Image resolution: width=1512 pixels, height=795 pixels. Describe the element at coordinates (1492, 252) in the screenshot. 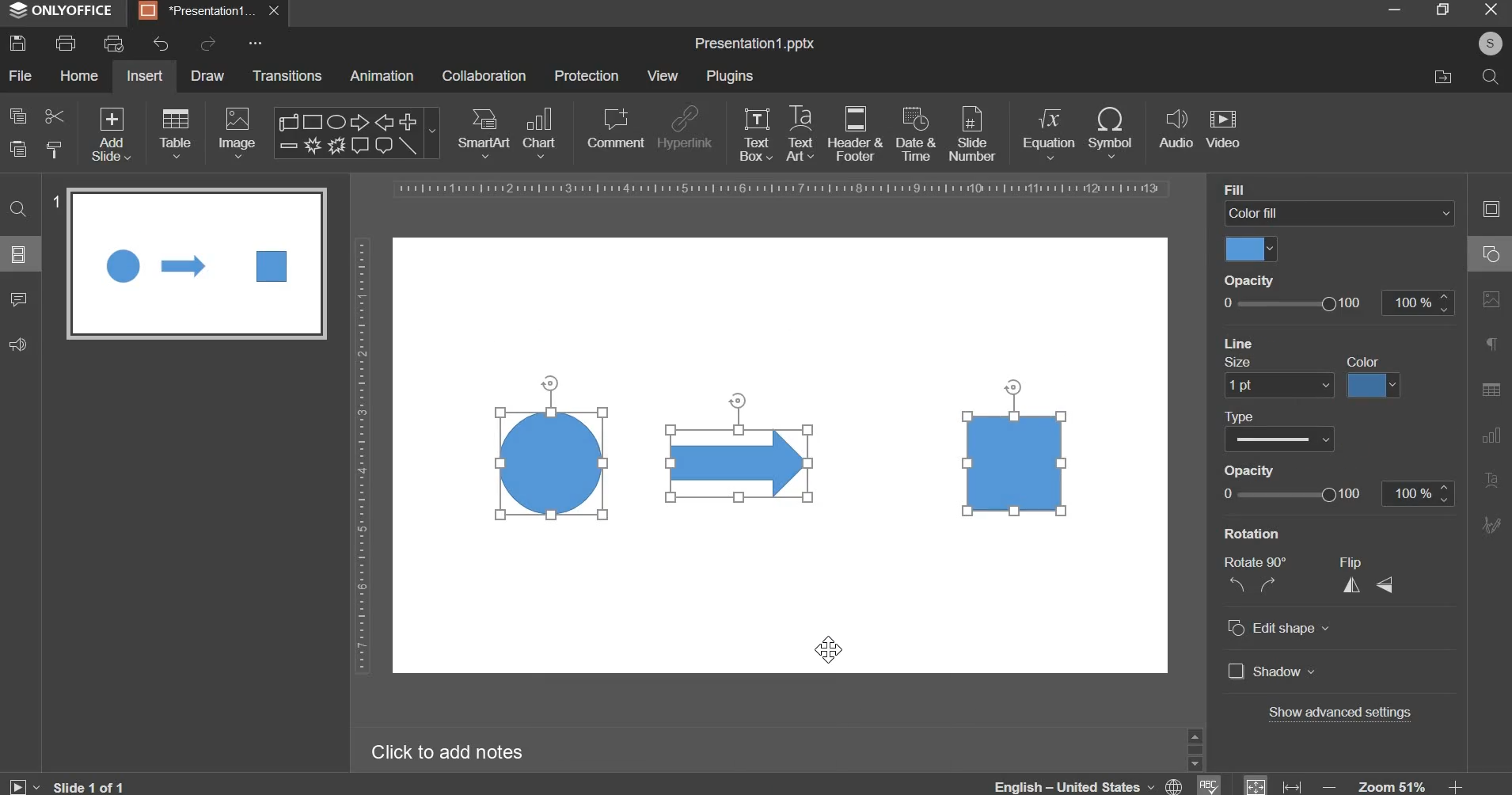

I see `shape setting` at that location.